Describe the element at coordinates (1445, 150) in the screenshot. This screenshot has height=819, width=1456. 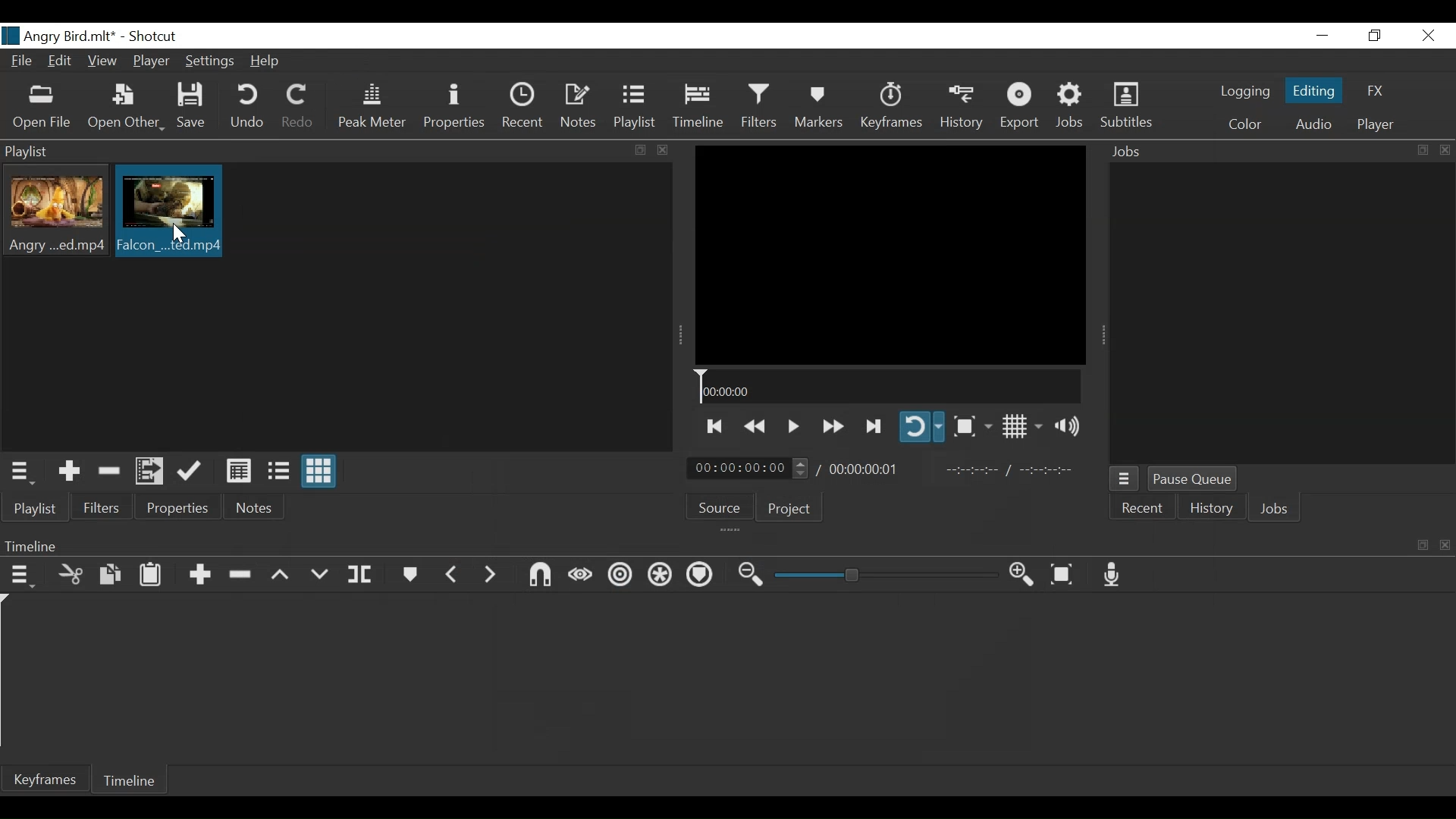
I see `close` at that location.